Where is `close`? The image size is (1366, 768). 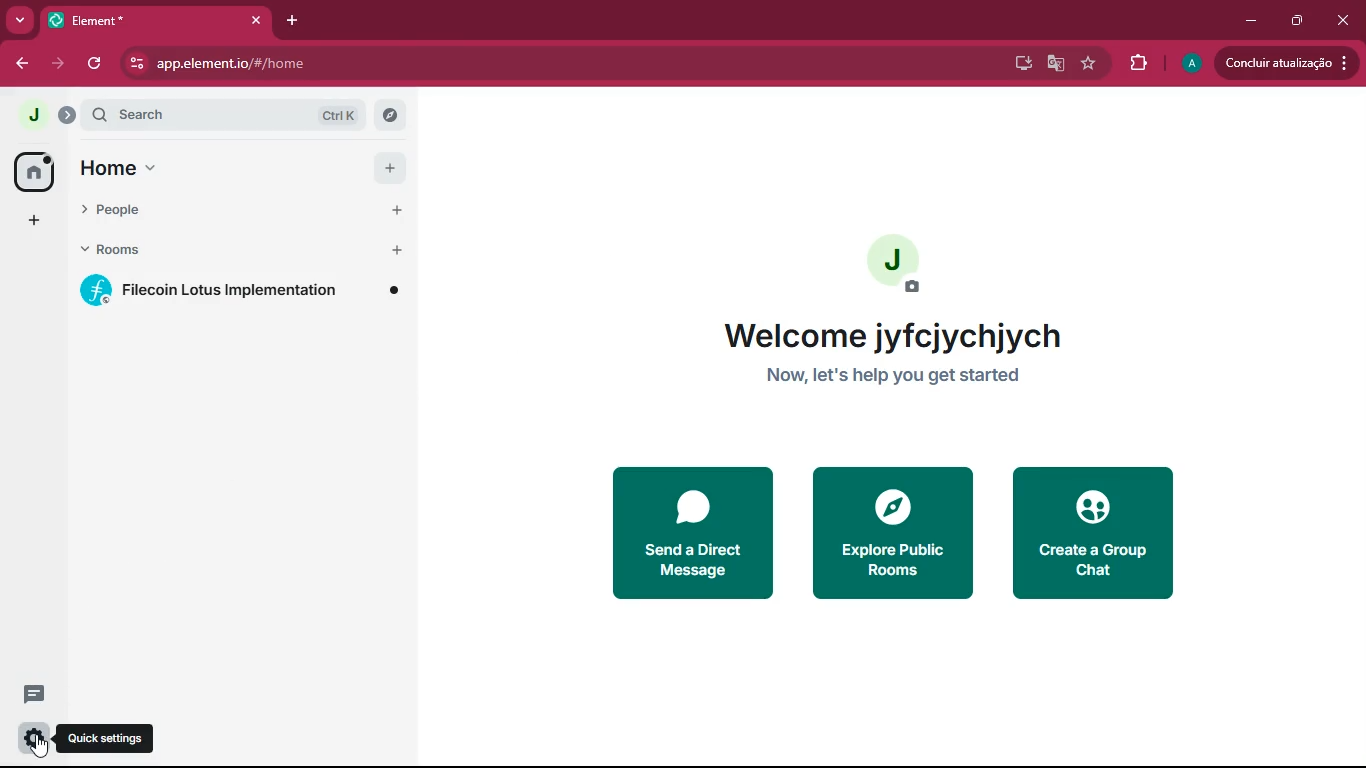
close is located at coordinates (1346, 20).